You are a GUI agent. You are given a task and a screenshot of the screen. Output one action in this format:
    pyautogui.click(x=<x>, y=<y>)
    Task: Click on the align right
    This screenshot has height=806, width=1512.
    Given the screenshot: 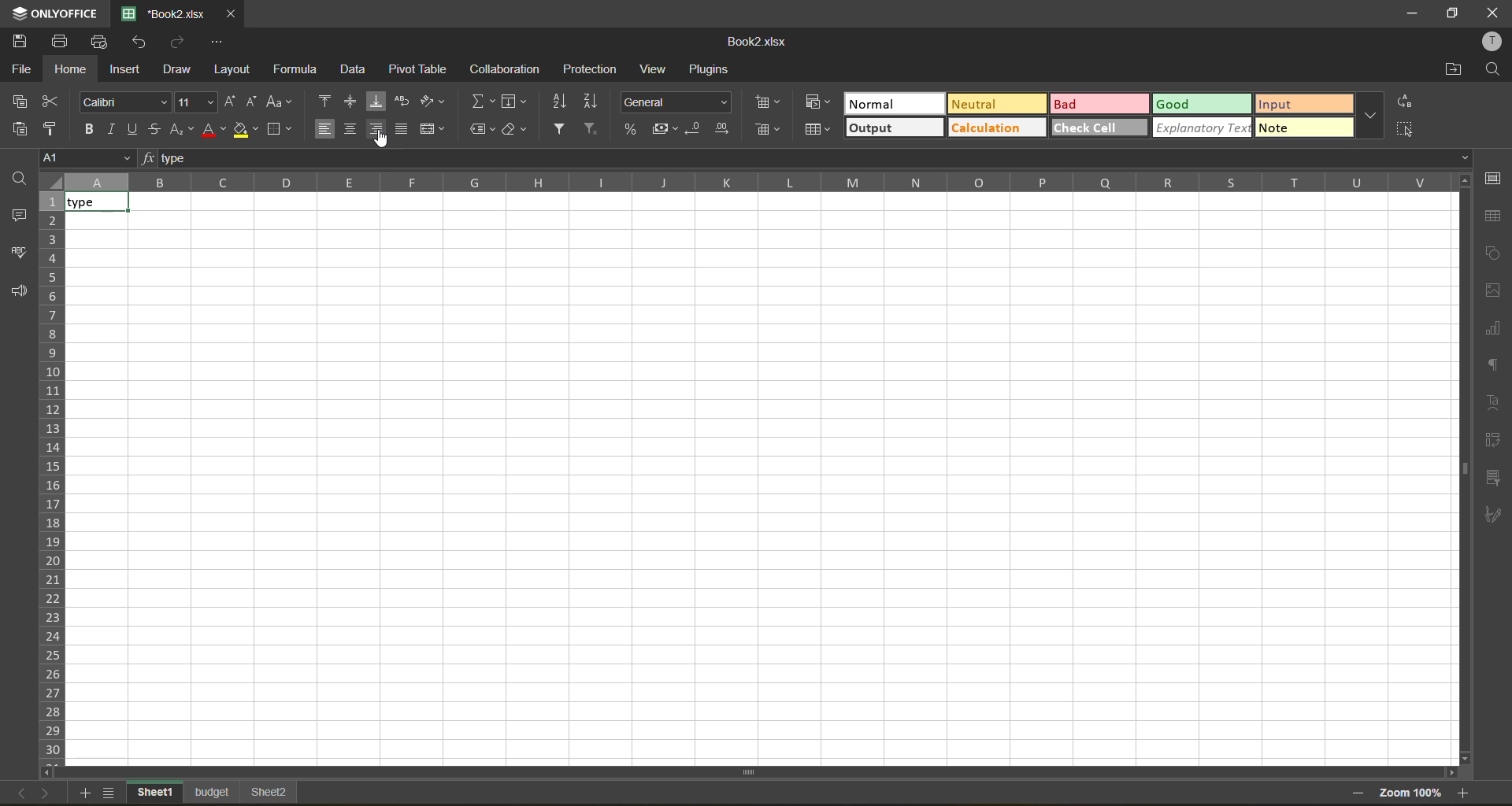 What is the action you would take?
    pyautogui.click(x=377, y=130)
    